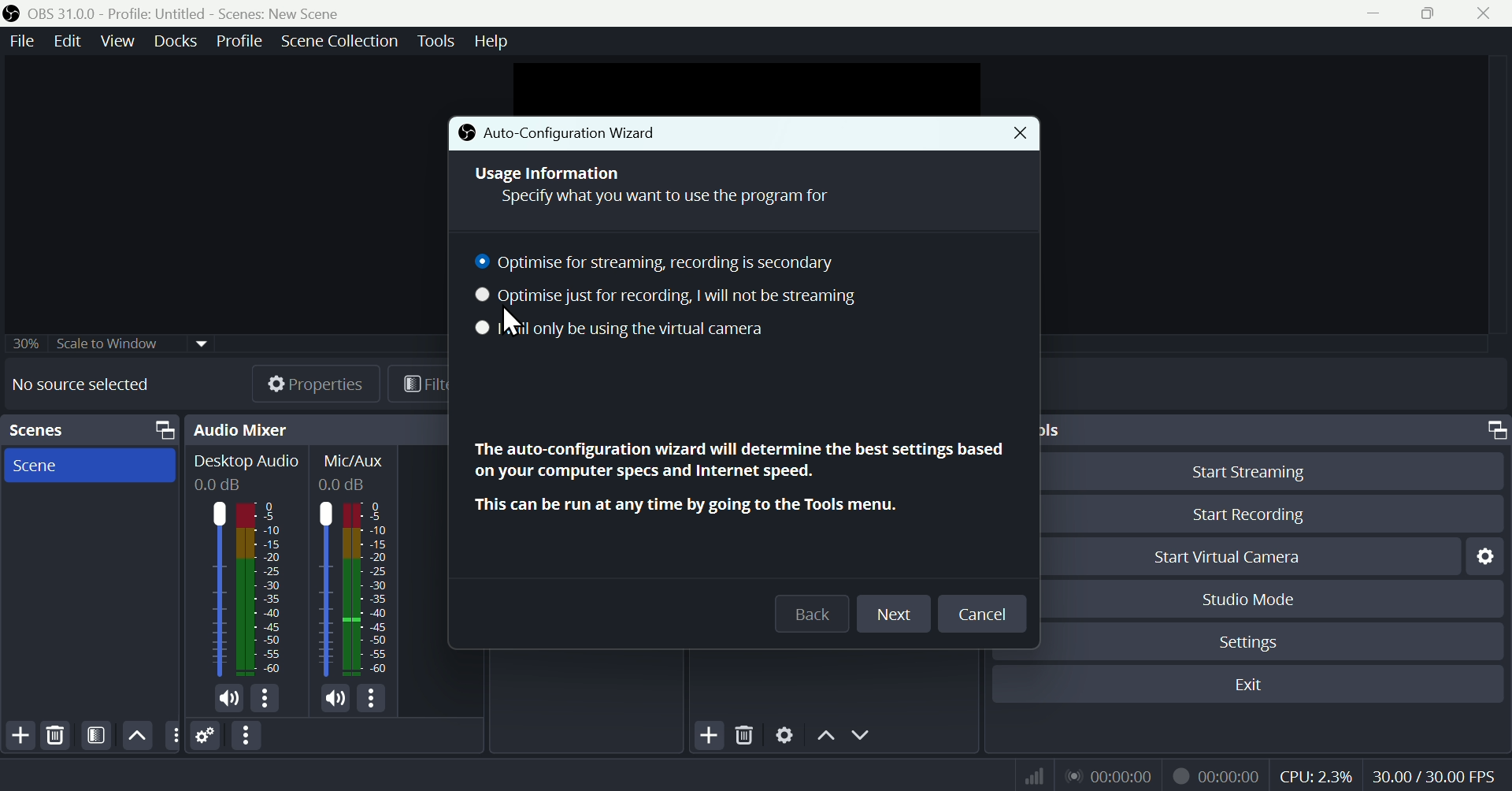 The image size is (1512, 791). What do you see at coordinates (13, 14) in the screenshot?
I see `icon` at bounding box center [13, 14].